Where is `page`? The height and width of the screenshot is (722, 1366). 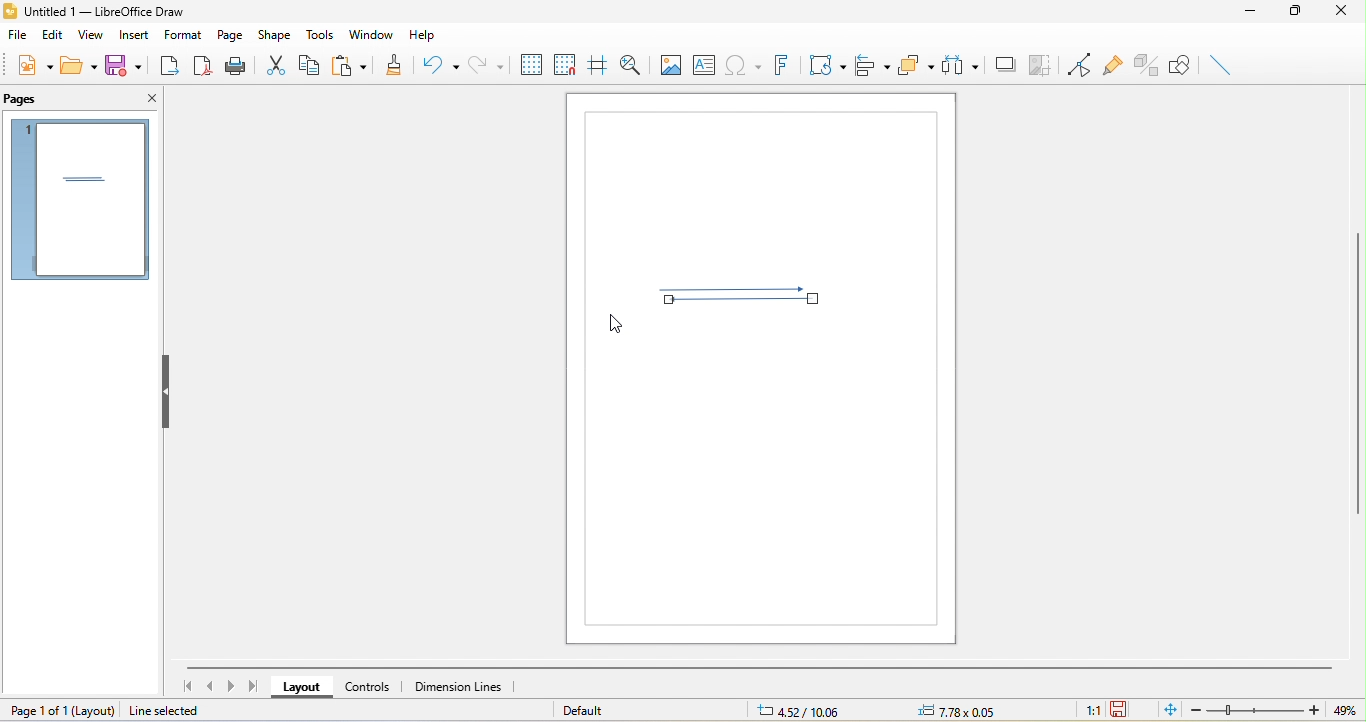 page is located at coordinates (231, 33).